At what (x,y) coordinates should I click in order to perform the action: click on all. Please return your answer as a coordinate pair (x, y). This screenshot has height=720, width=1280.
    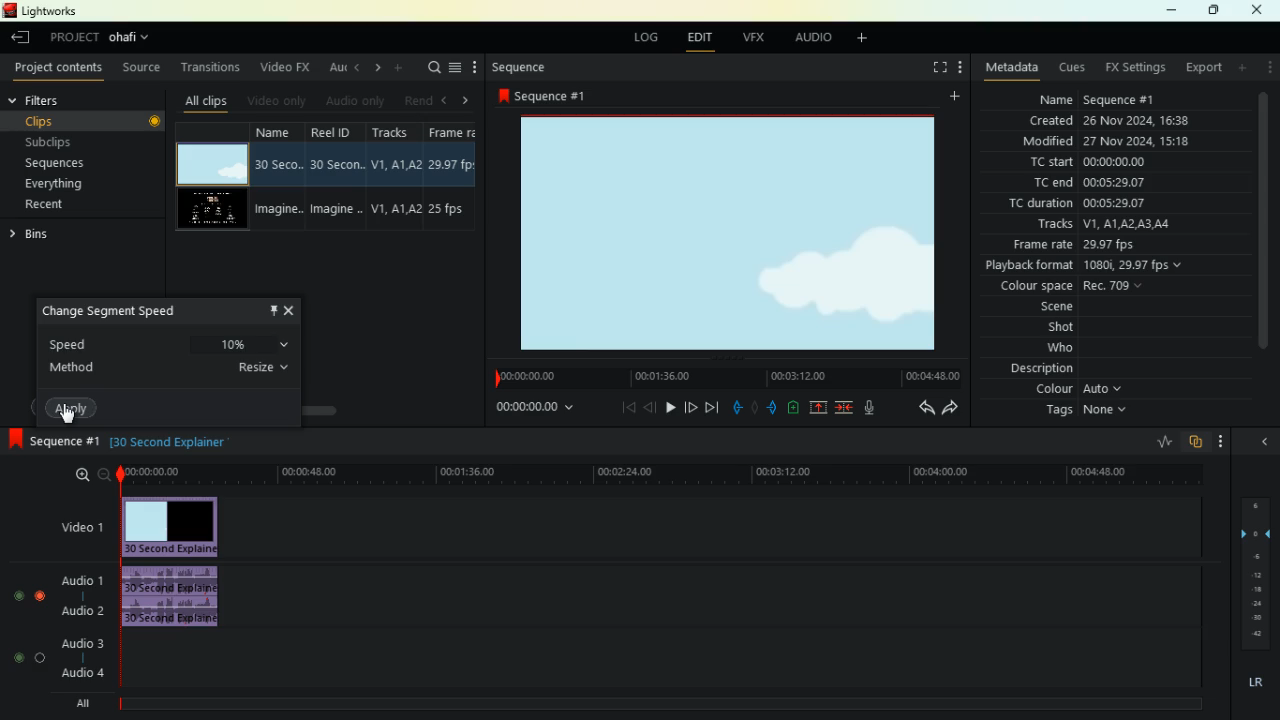
    Looking at the image, I should click on (86, 706).